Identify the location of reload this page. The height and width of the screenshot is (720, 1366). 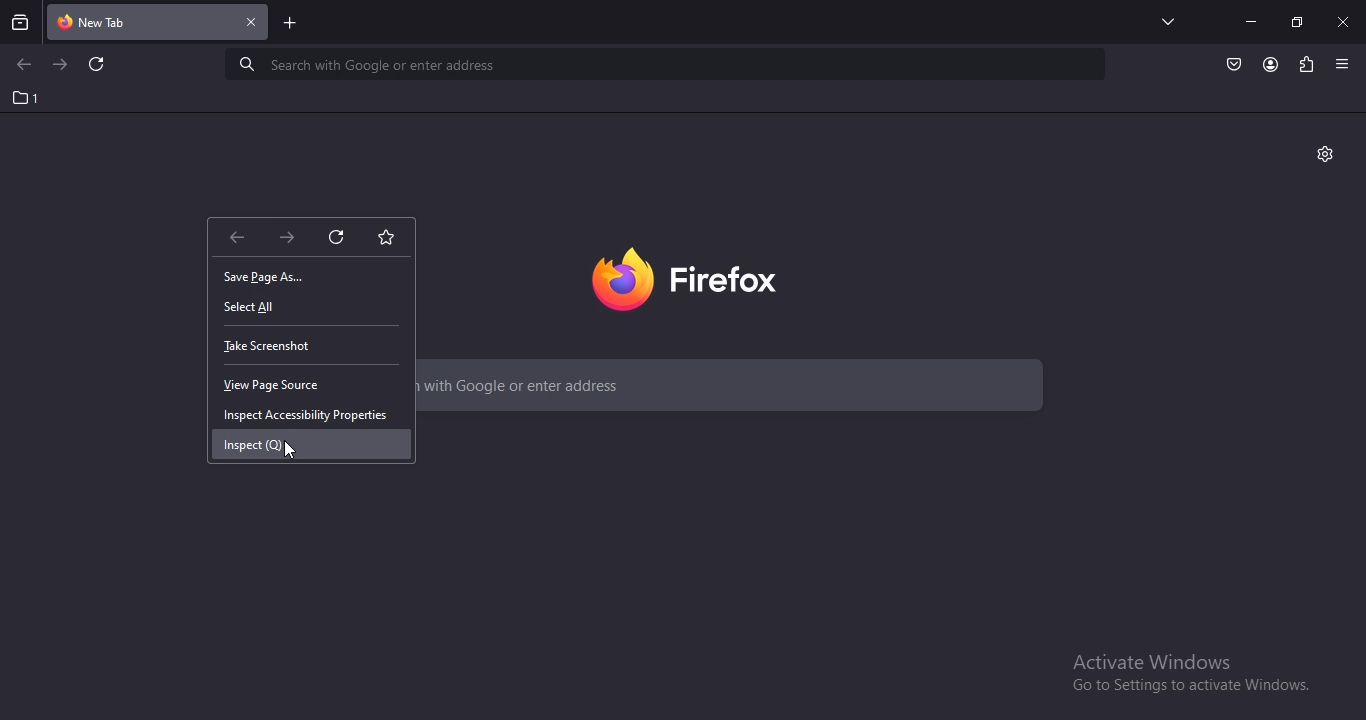
(337, 236).